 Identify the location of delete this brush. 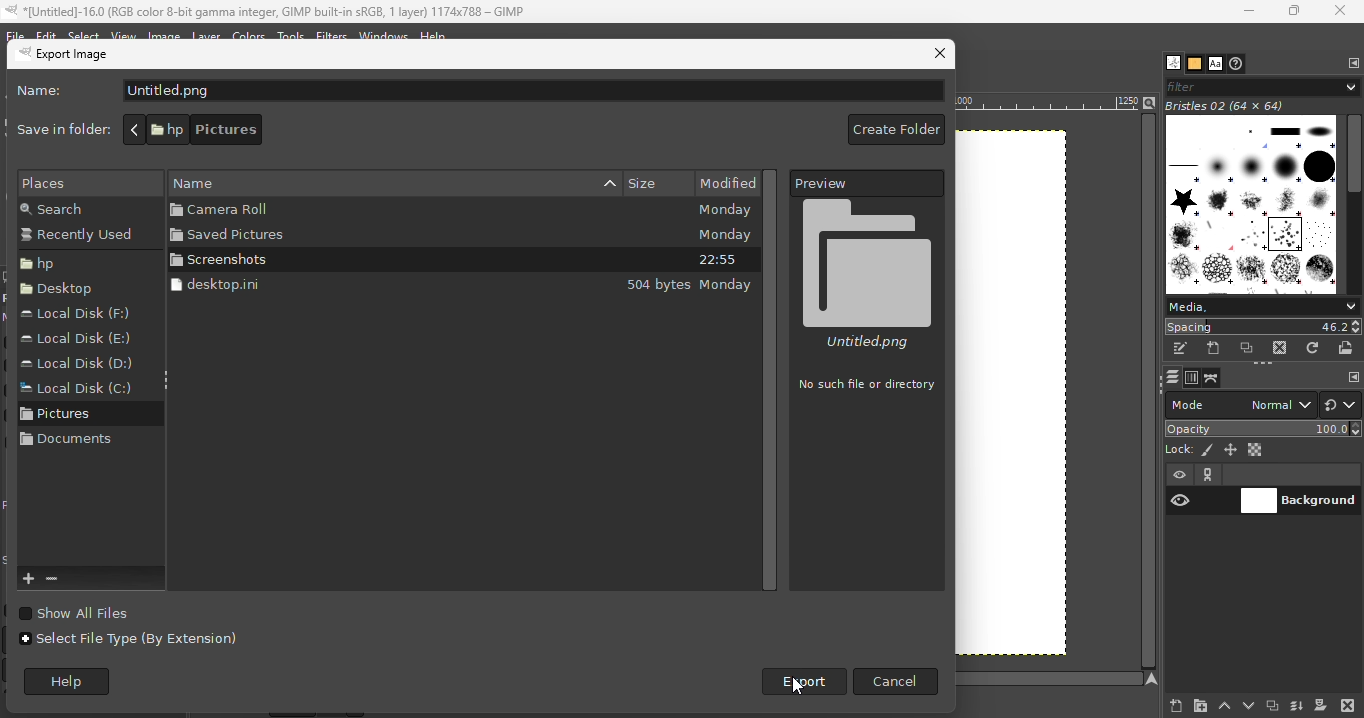
(1280, 348).